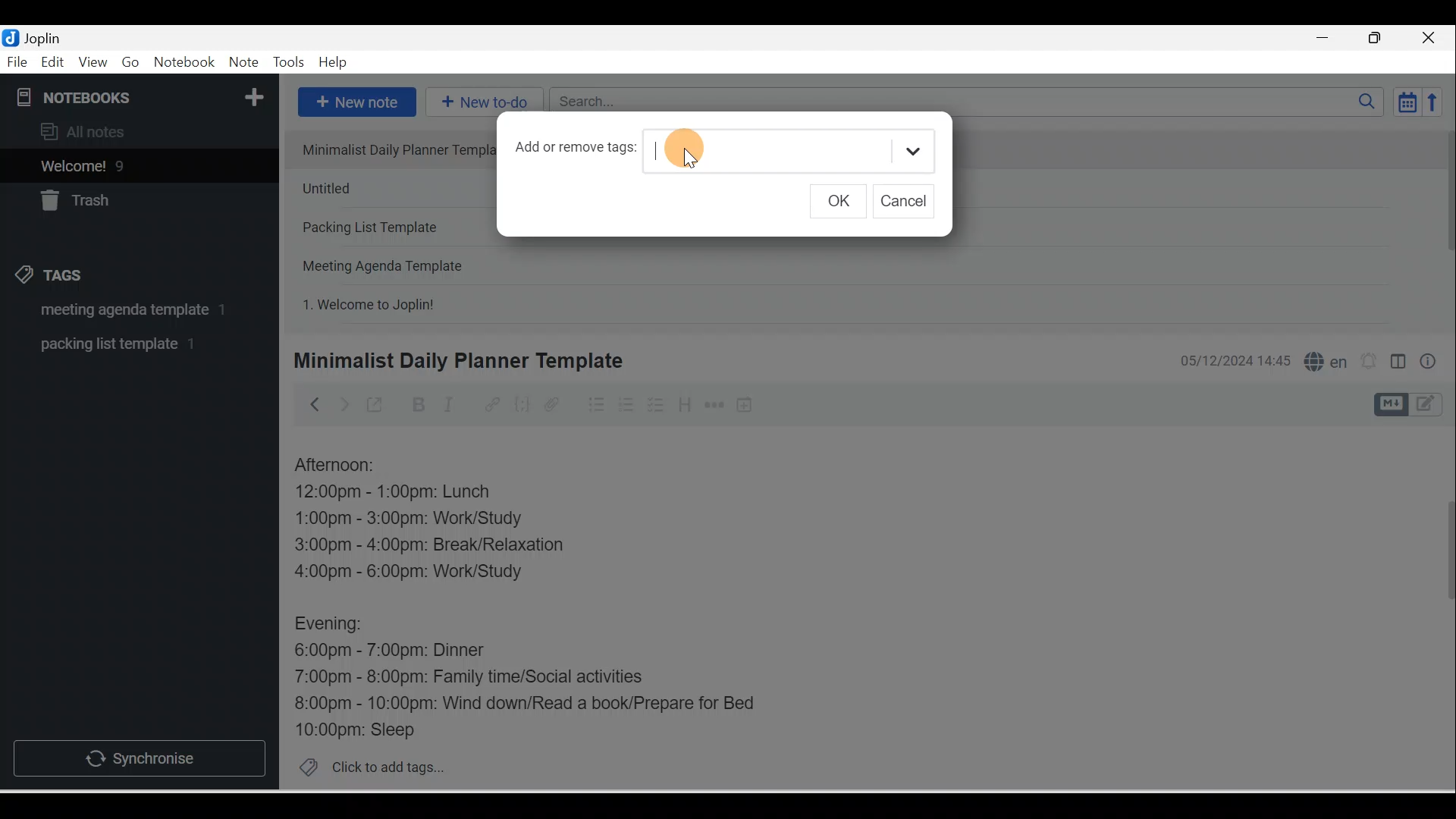 The image size is (1456, 819). What do you see at coordinates (410, 493) in the screenshot?
I see `12:00pm - 1:00pm: Lunch` at bounding box center [410, 493].